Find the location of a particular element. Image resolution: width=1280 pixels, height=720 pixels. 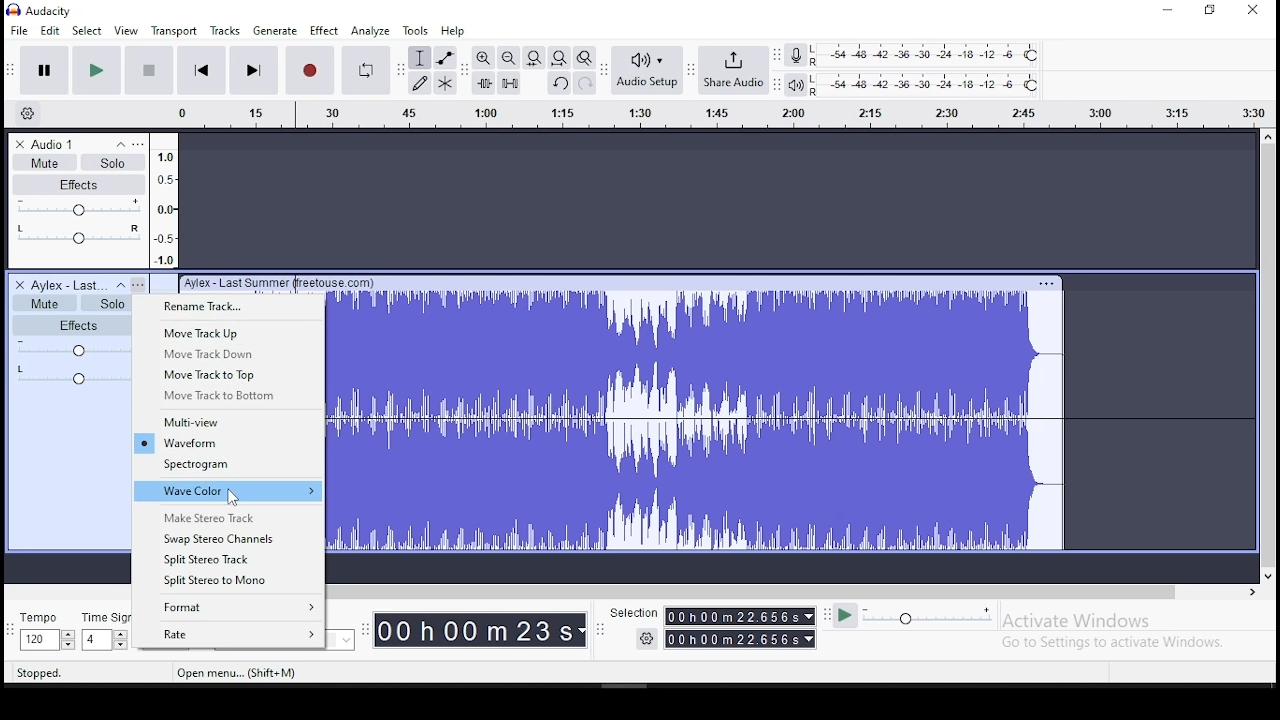

scroll bar is located at coordinates (788, 591).